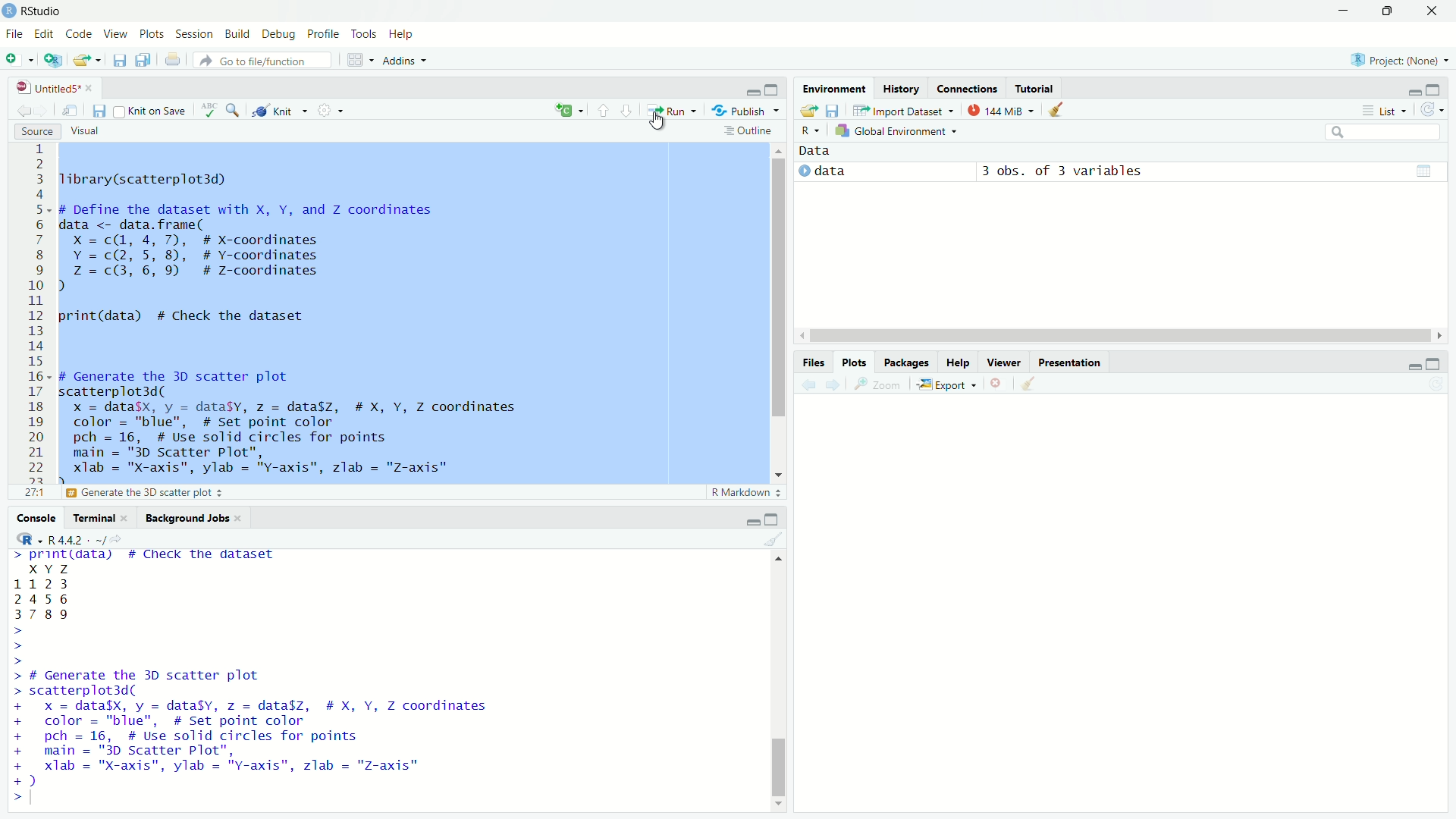  What do you see at coordinates (835, 111) in the screenshot?
I see `save workspace as` at bounding box center [835, 111].